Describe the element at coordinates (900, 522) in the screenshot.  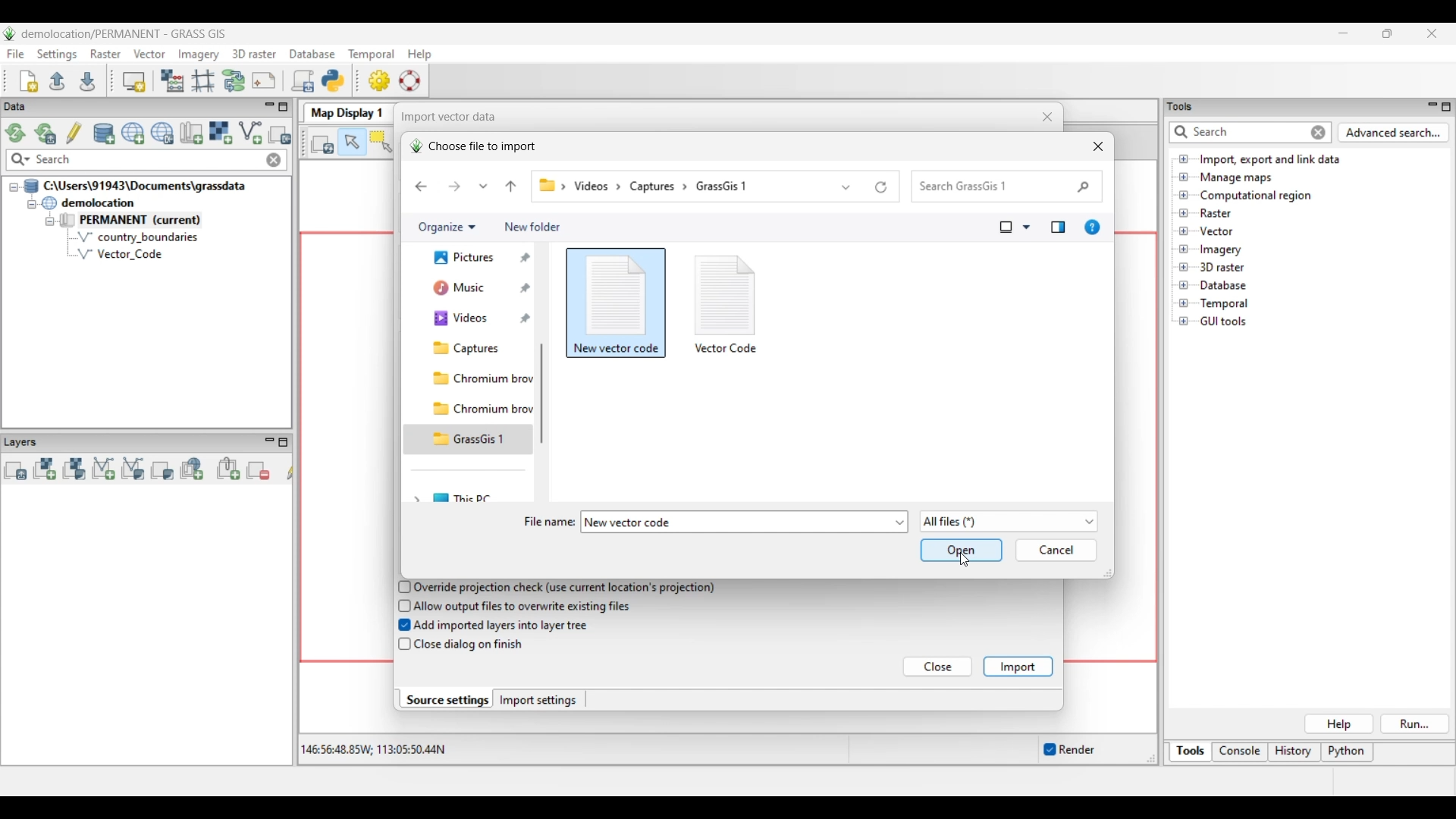
I see `File name options` at that location.